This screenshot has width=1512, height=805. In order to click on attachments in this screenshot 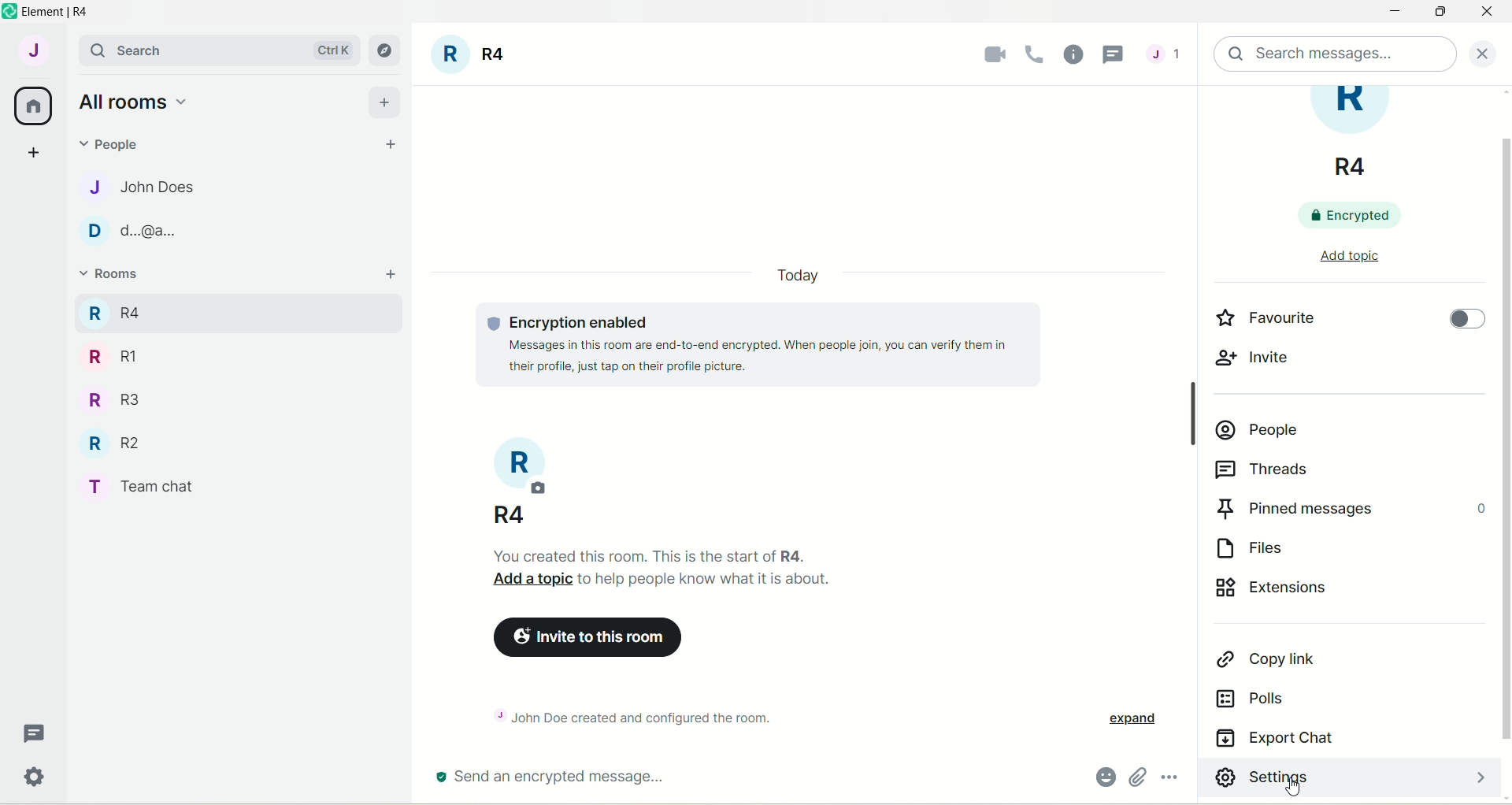, I will do `click(1137, 778)`.